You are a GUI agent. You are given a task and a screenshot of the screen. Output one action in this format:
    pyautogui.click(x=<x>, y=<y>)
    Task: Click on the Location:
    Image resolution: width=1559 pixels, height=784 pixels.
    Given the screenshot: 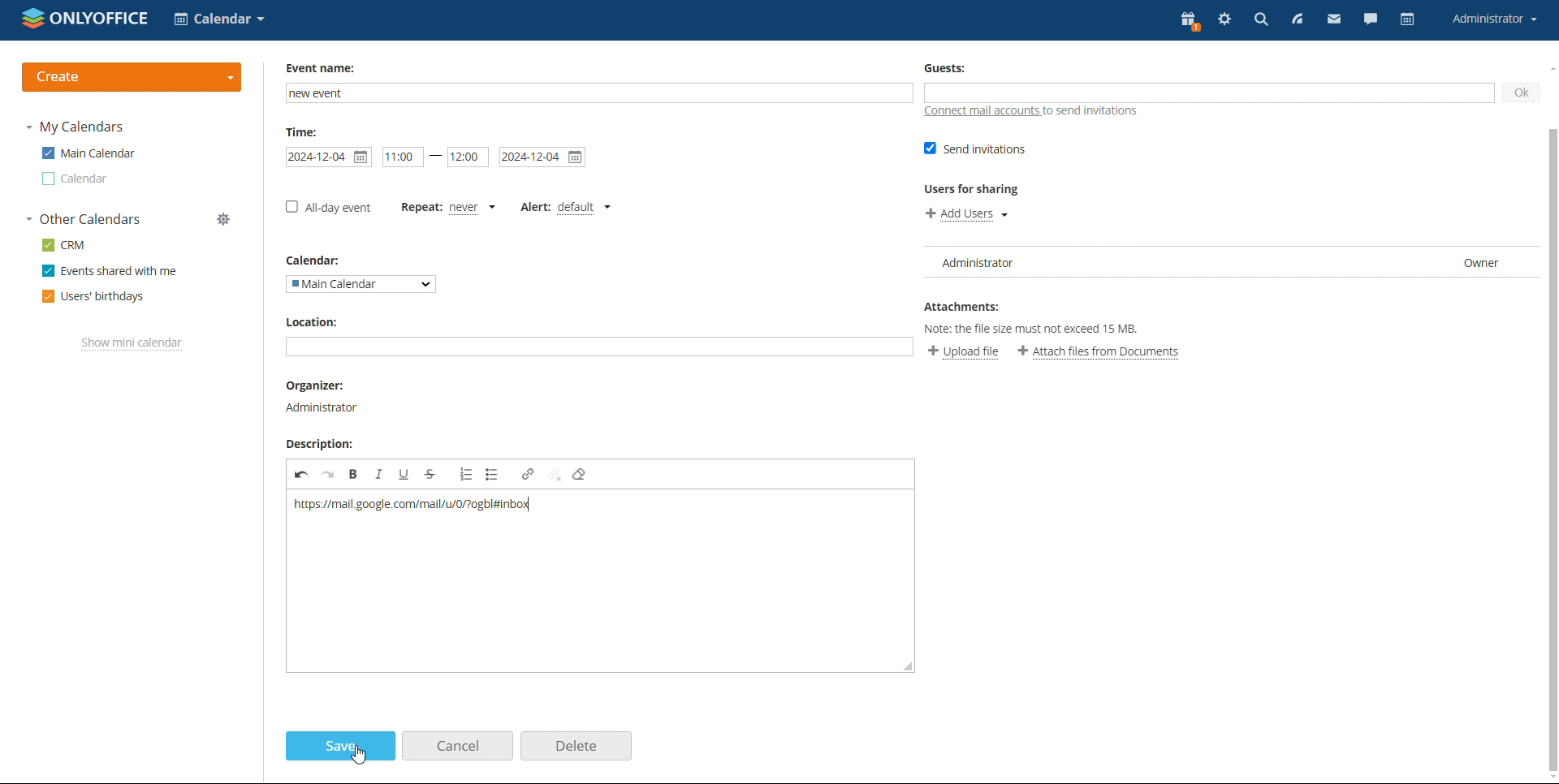 What is the action you would take?
    pyautogui.click(x=313, y=322)
    